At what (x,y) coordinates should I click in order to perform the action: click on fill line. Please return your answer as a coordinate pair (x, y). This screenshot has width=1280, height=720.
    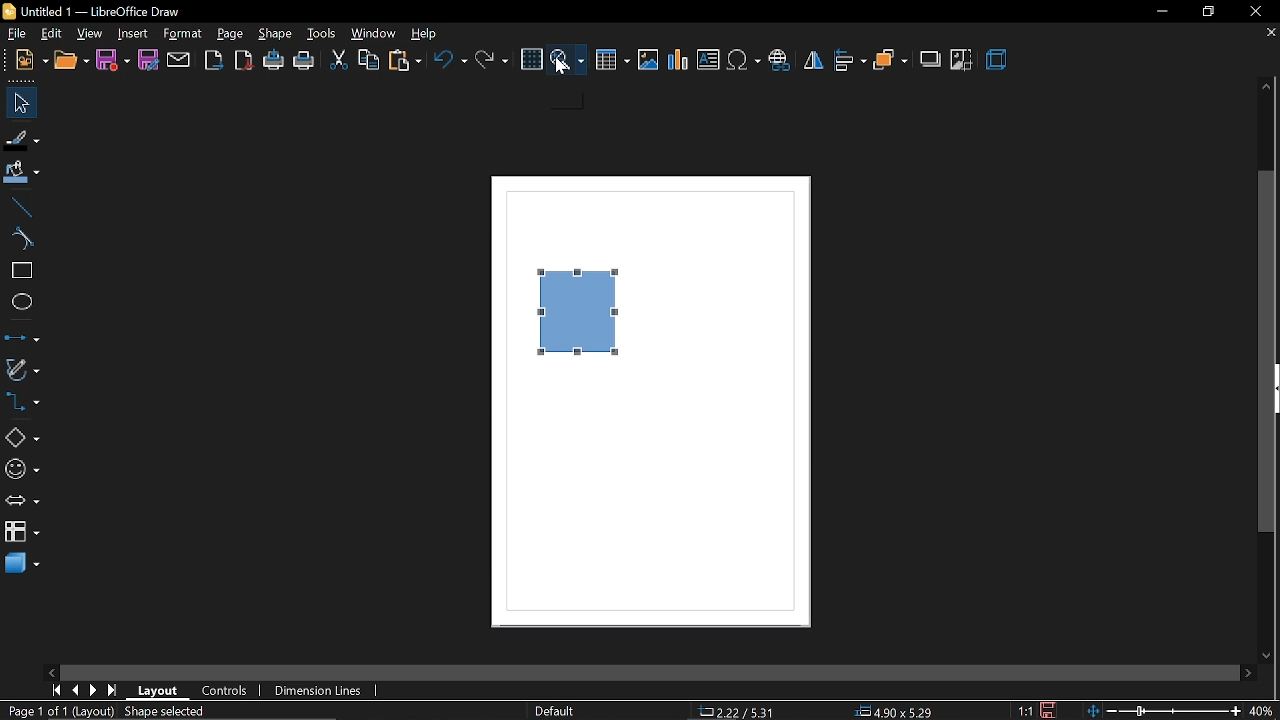
    Looking at the image, I should click on (22, 140).